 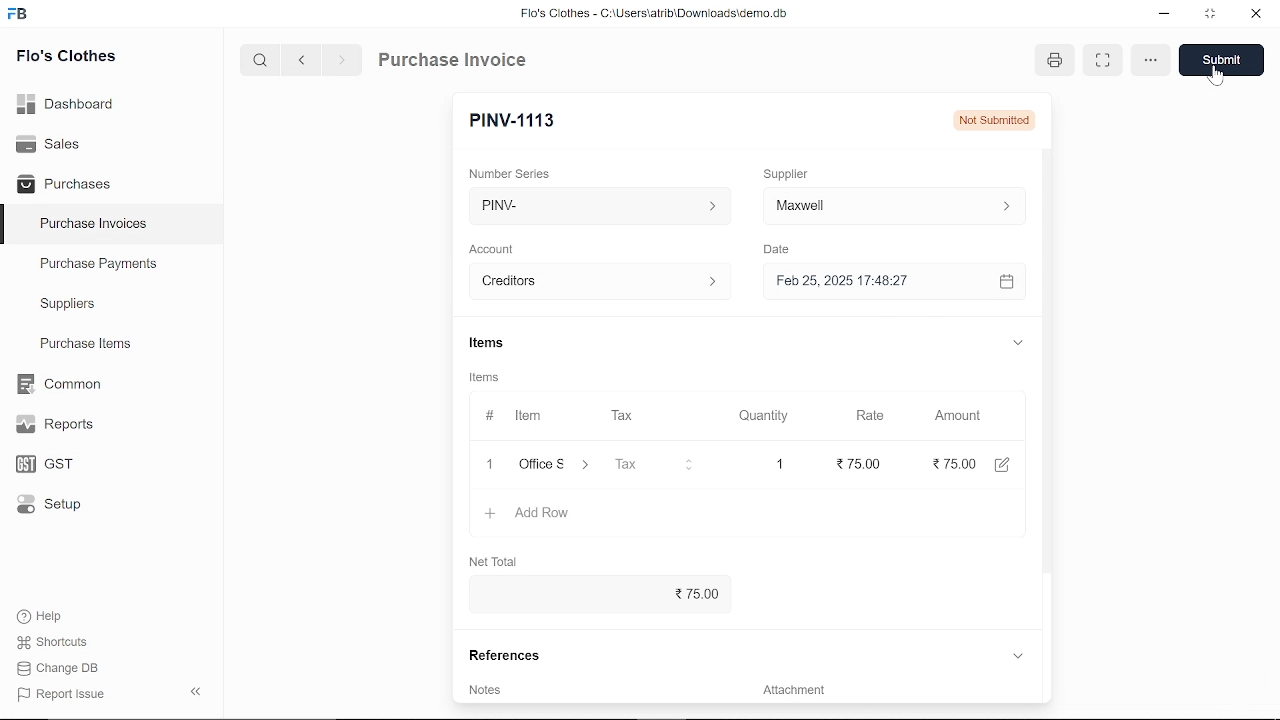 I want to click on ‘Attachment, so click(x=792, y=693).